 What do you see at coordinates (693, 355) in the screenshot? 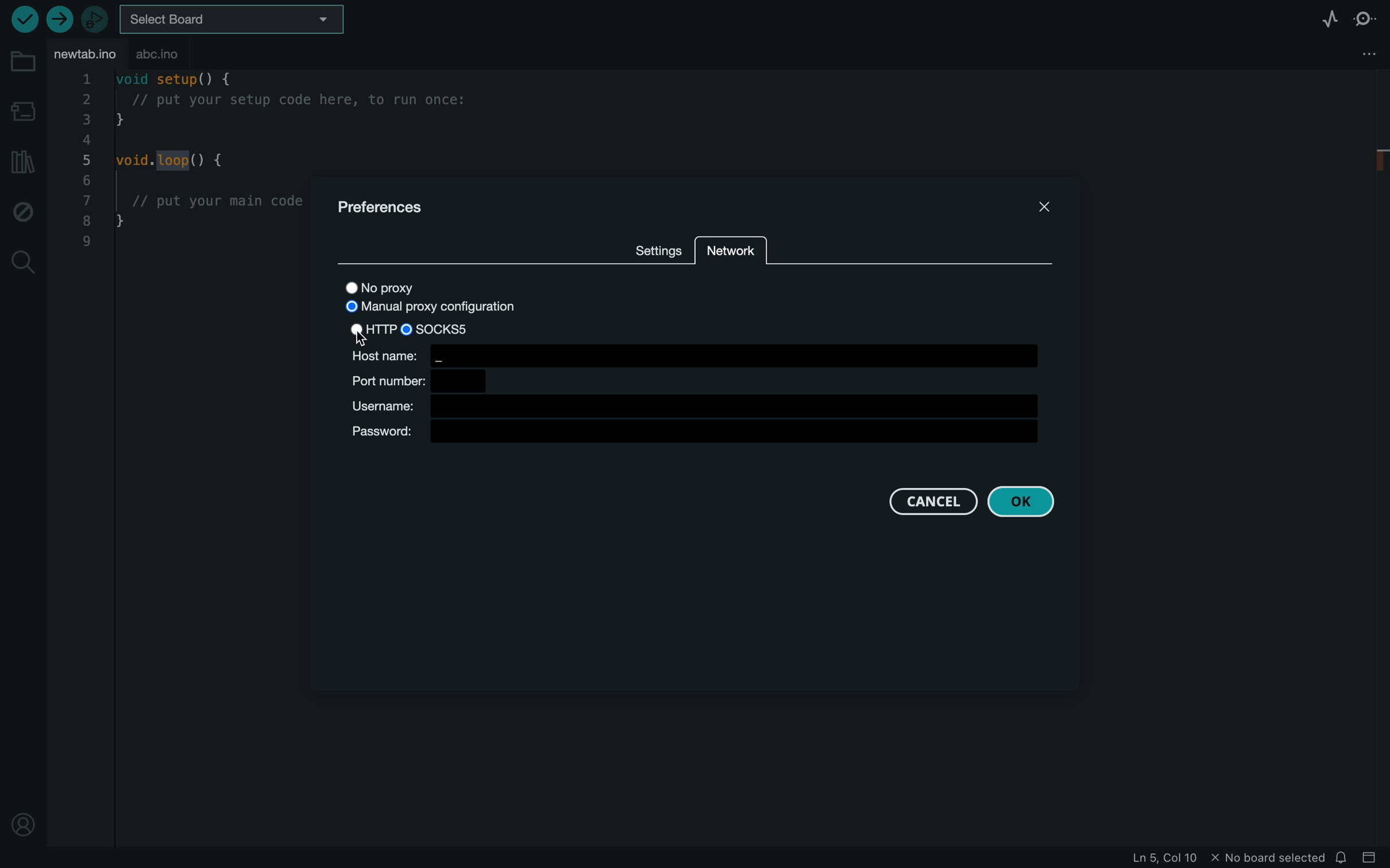
I see `host name` at bounding box center [693, 355].